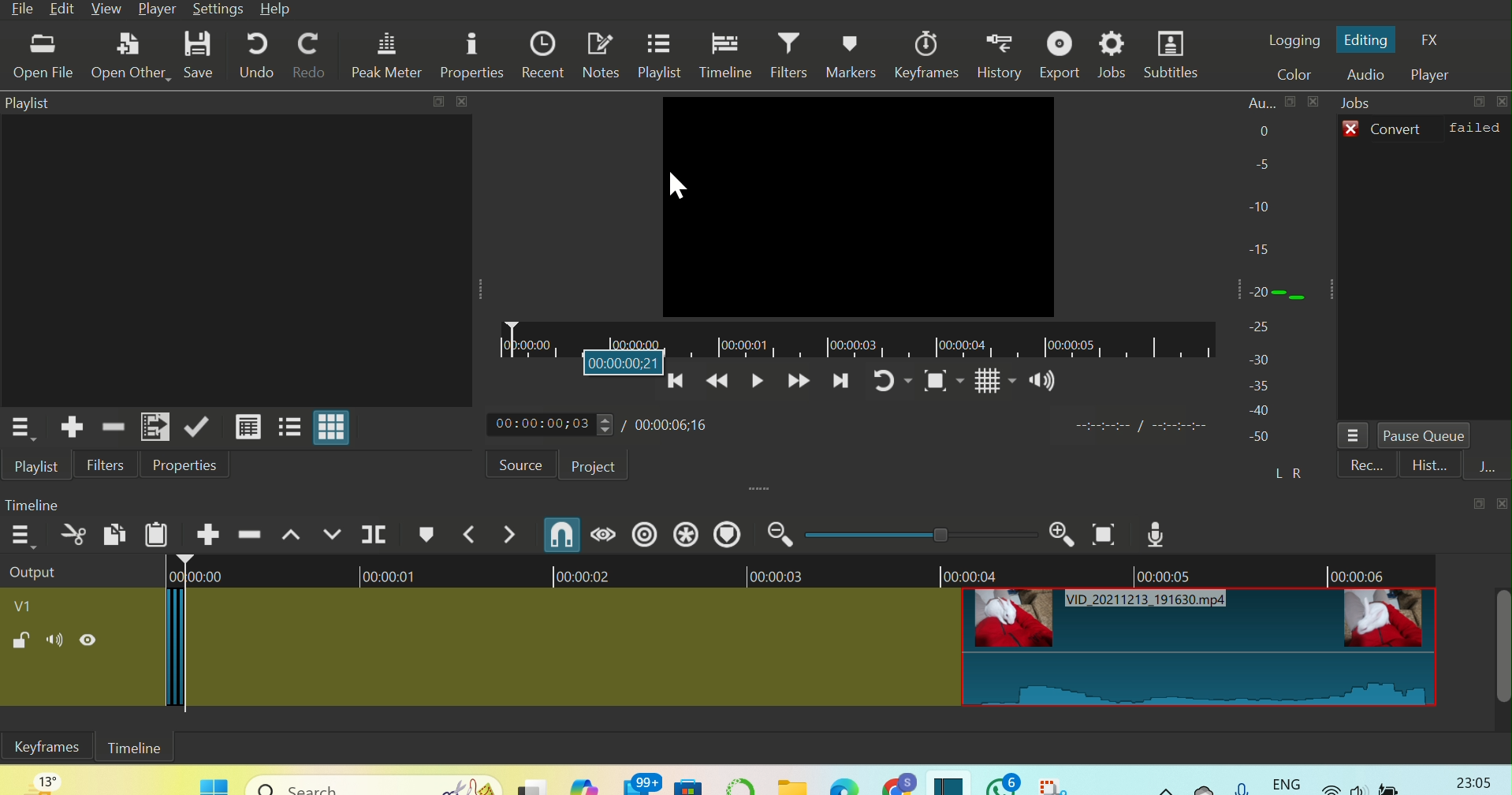 Image resolution: width=1512 pixels, height=795 pixels. Describe the element at coordinates (438, 102) in the screenshot. I see `` at that location.